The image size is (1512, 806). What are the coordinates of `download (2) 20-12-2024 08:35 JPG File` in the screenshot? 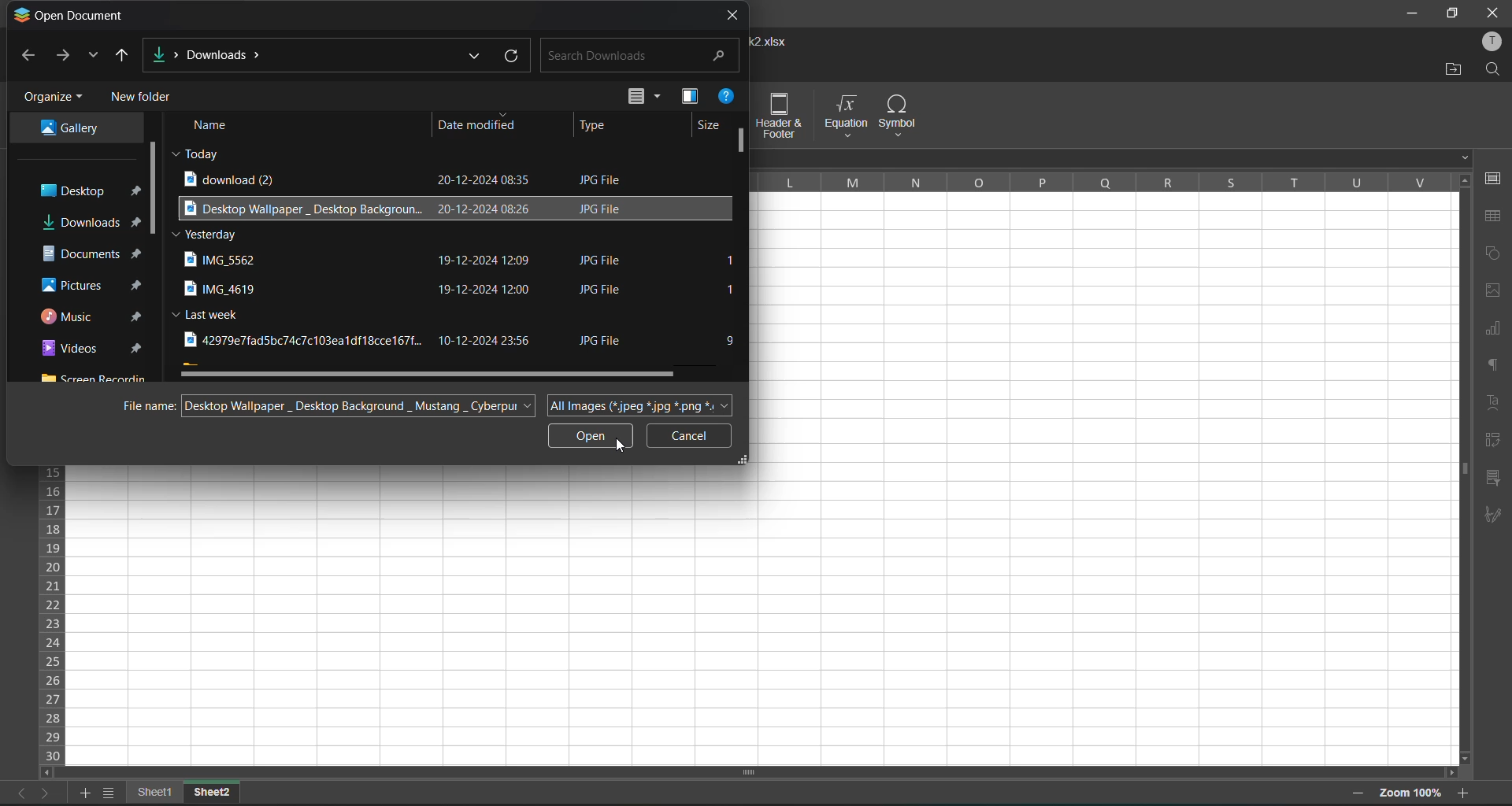 It's located at (421, 179).